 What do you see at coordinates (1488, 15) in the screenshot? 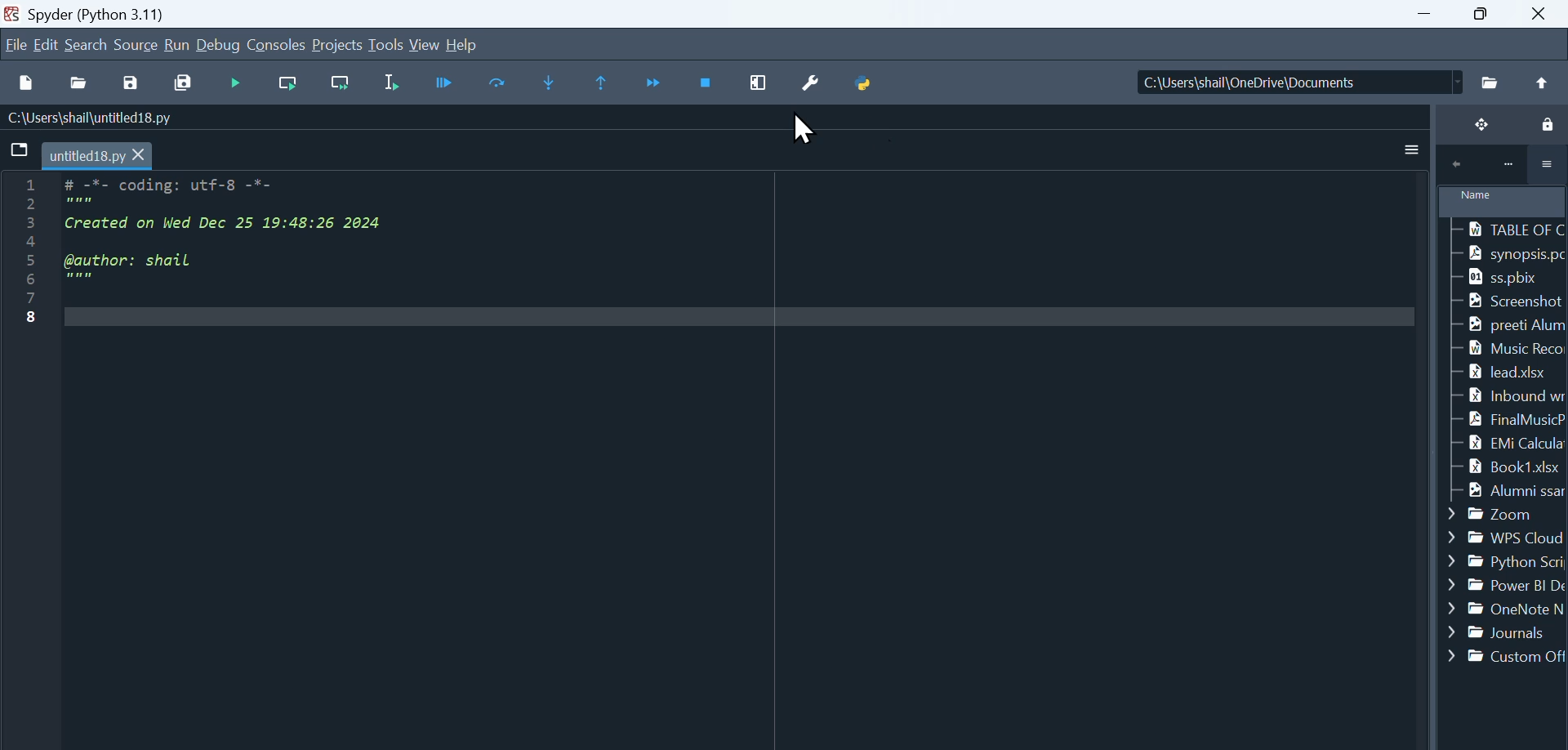
I see `maximise` at bounding box center [1488, 15].